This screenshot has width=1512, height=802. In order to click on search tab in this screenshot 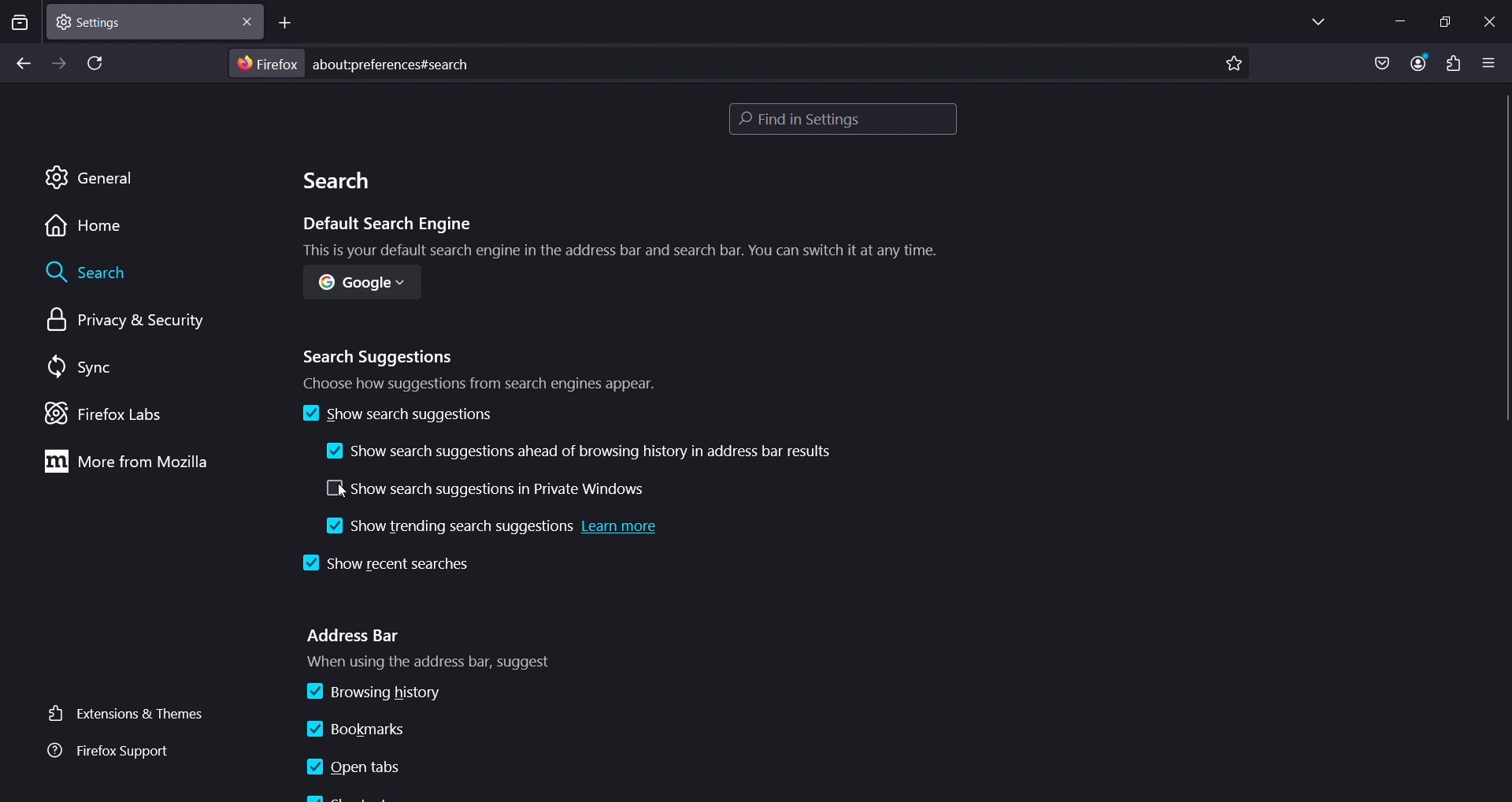, I will do `click(20, 24)`.